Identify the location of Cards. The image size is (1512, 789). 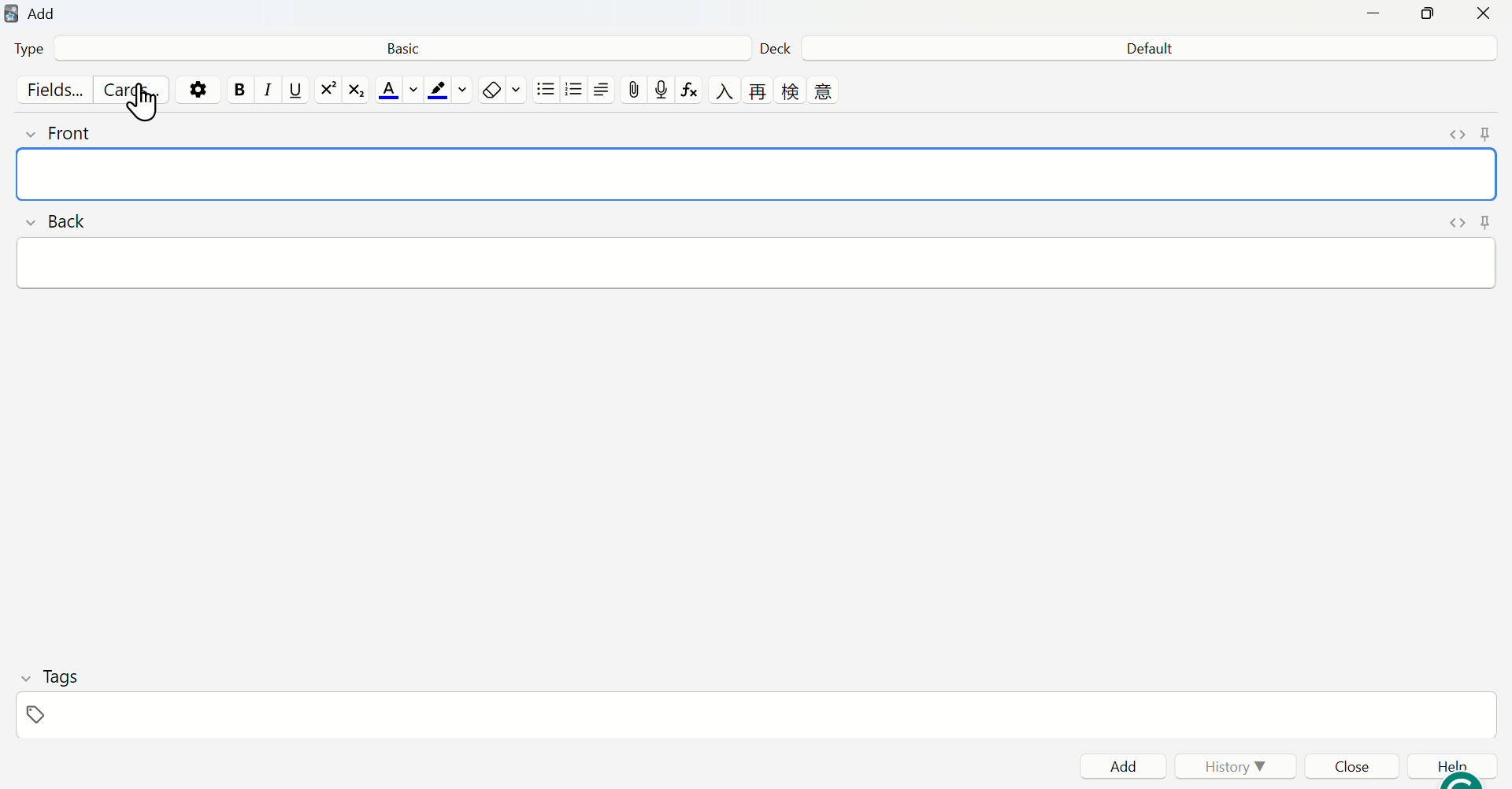
(125, 91).